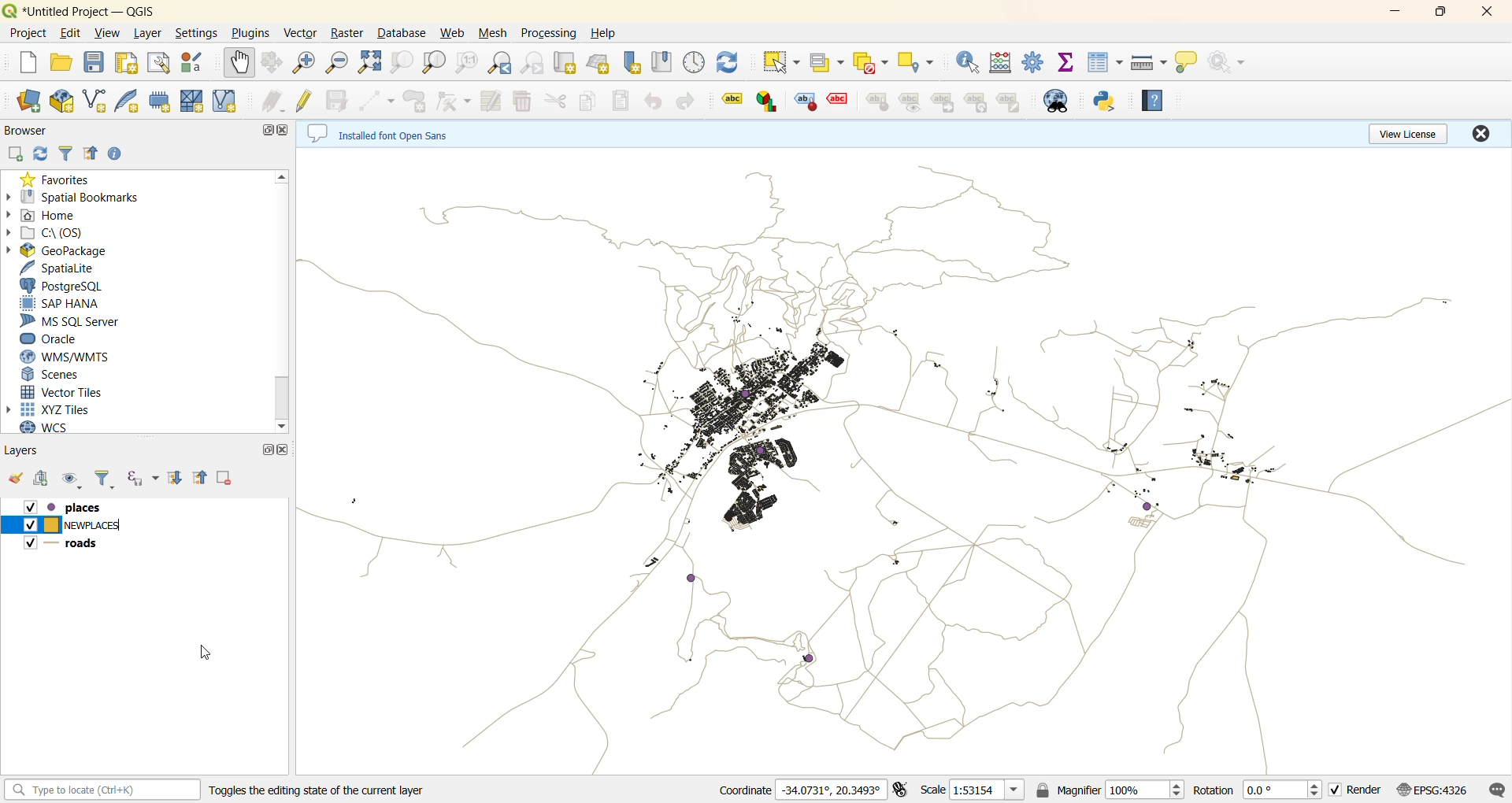 The height and width of the screenshot is (803, 1512). Describe the element at coordinates (1000, 63) in the screenshot. I see `calculator` at that location.